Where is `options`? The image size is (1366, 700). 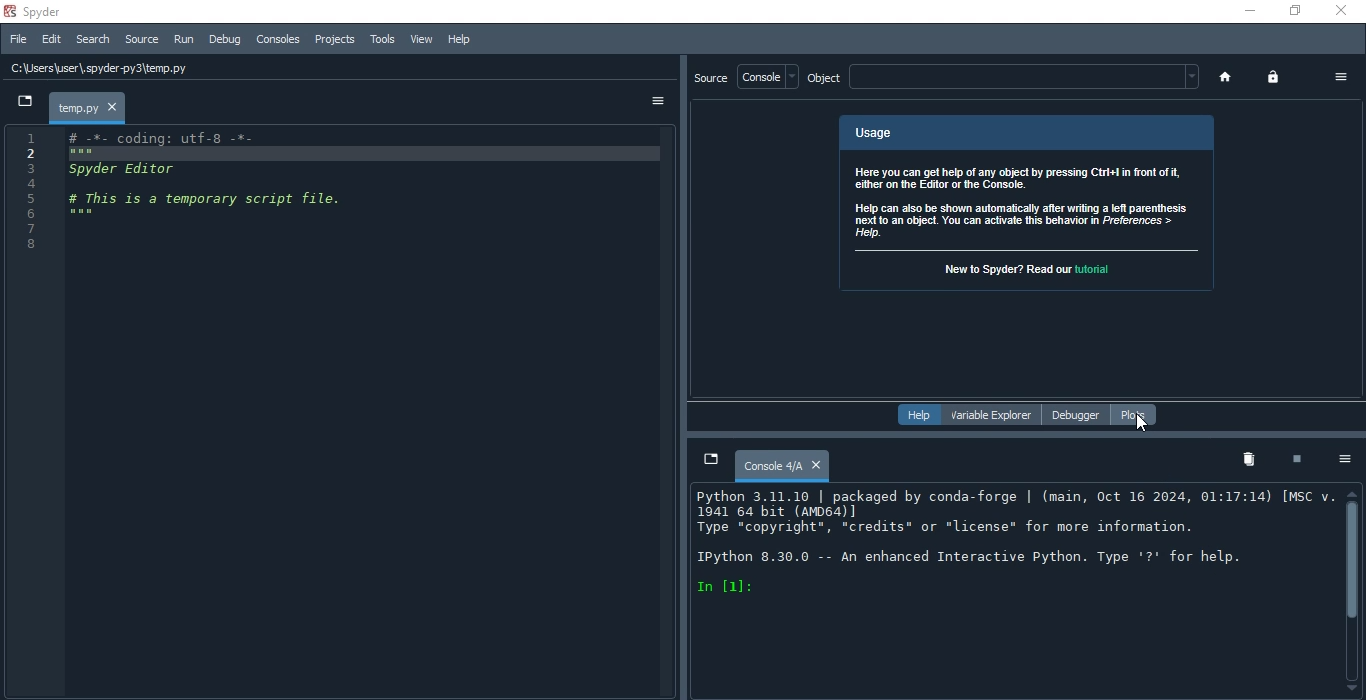 options is located at coordinates (659, 103).